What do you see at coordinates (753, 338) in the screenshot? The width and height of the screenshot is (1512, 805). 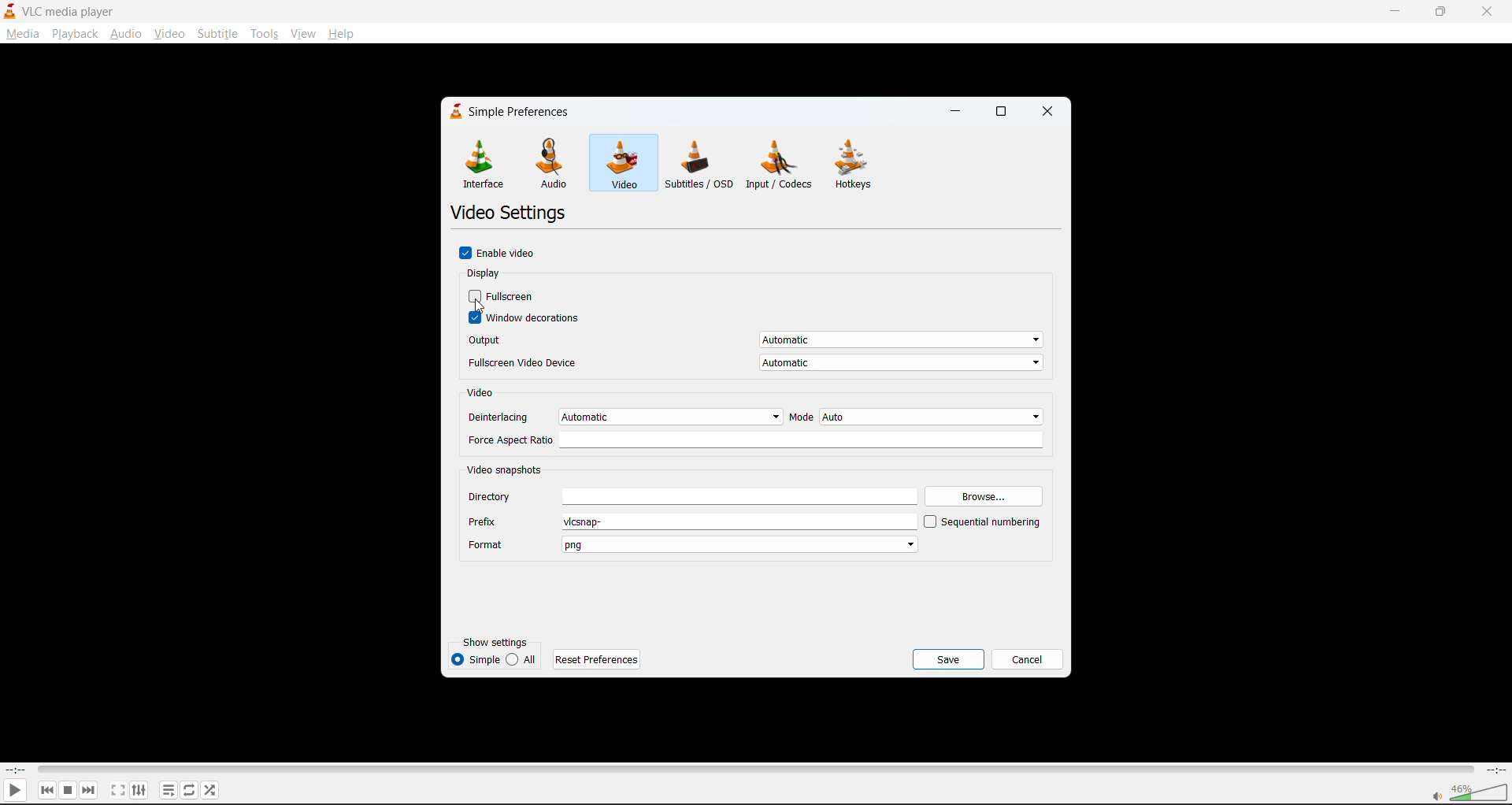 I see `output` at bounding box center [753, 338].